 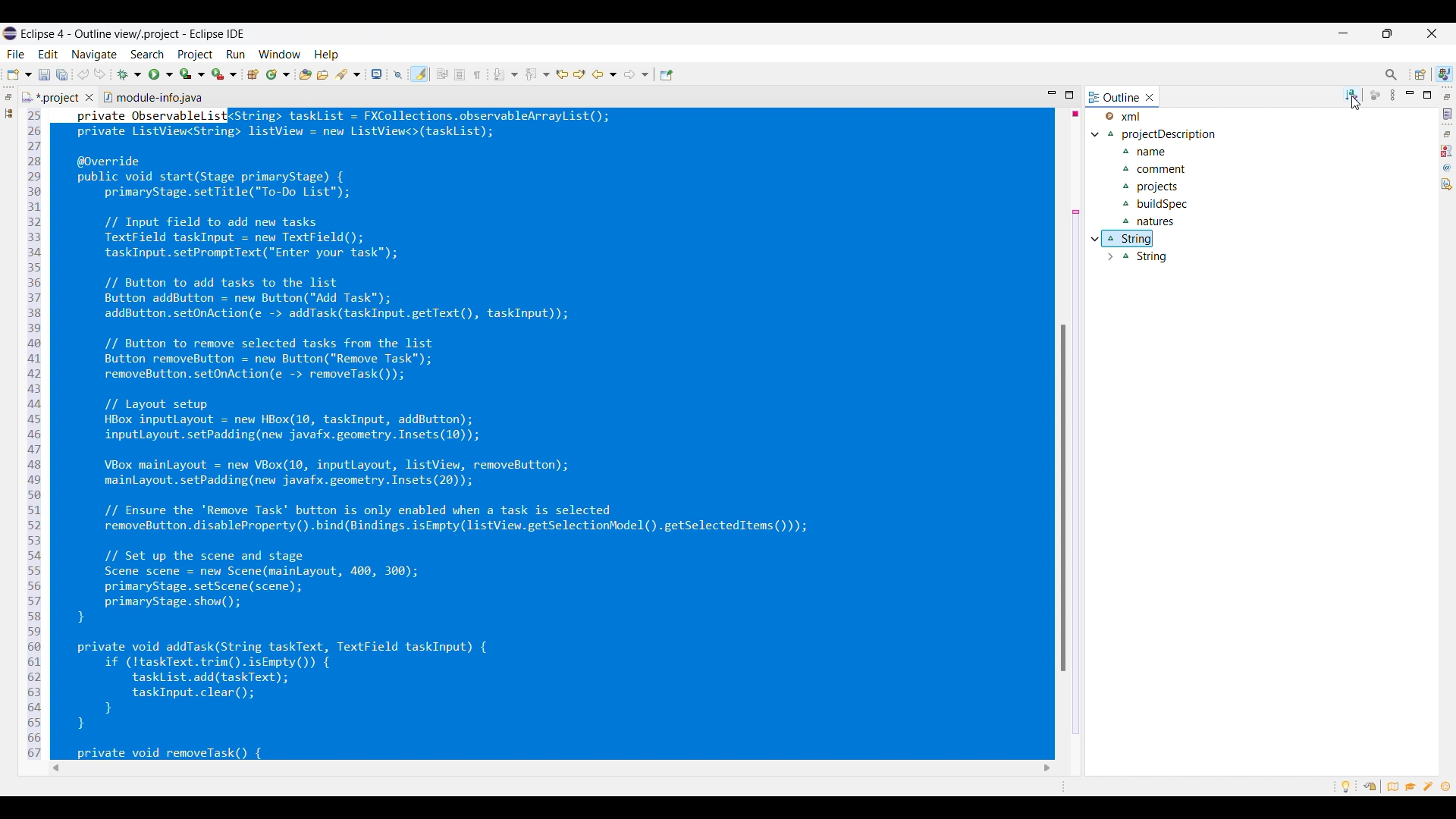 What do you see at coordinates (442, 74) in the screenshot?
I see `Toggle word wrap` at bounding box center [442, 74].